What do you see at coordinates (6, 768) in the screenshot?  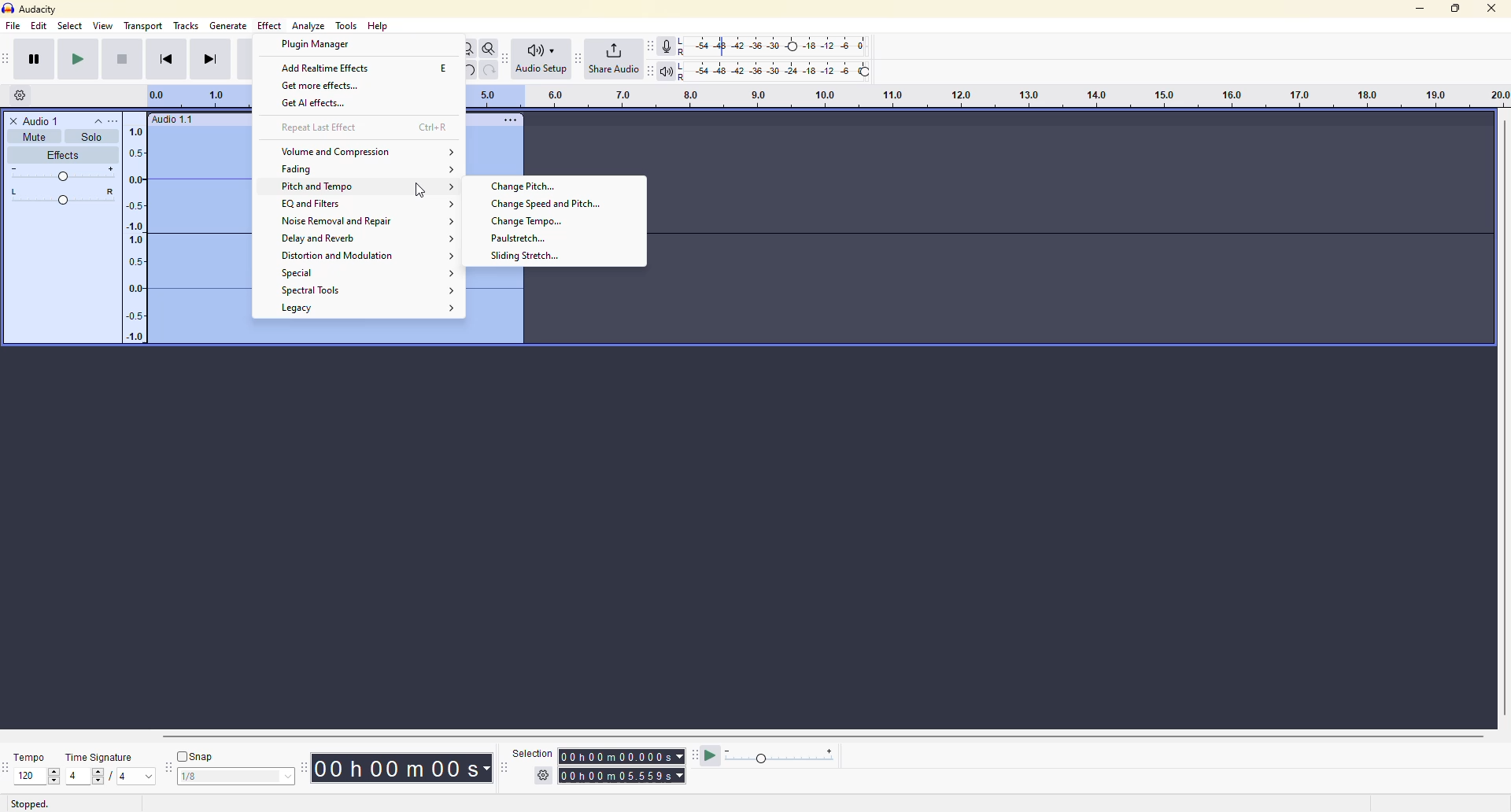 I see `time signature toolbar` at bounding box center [6, 768].